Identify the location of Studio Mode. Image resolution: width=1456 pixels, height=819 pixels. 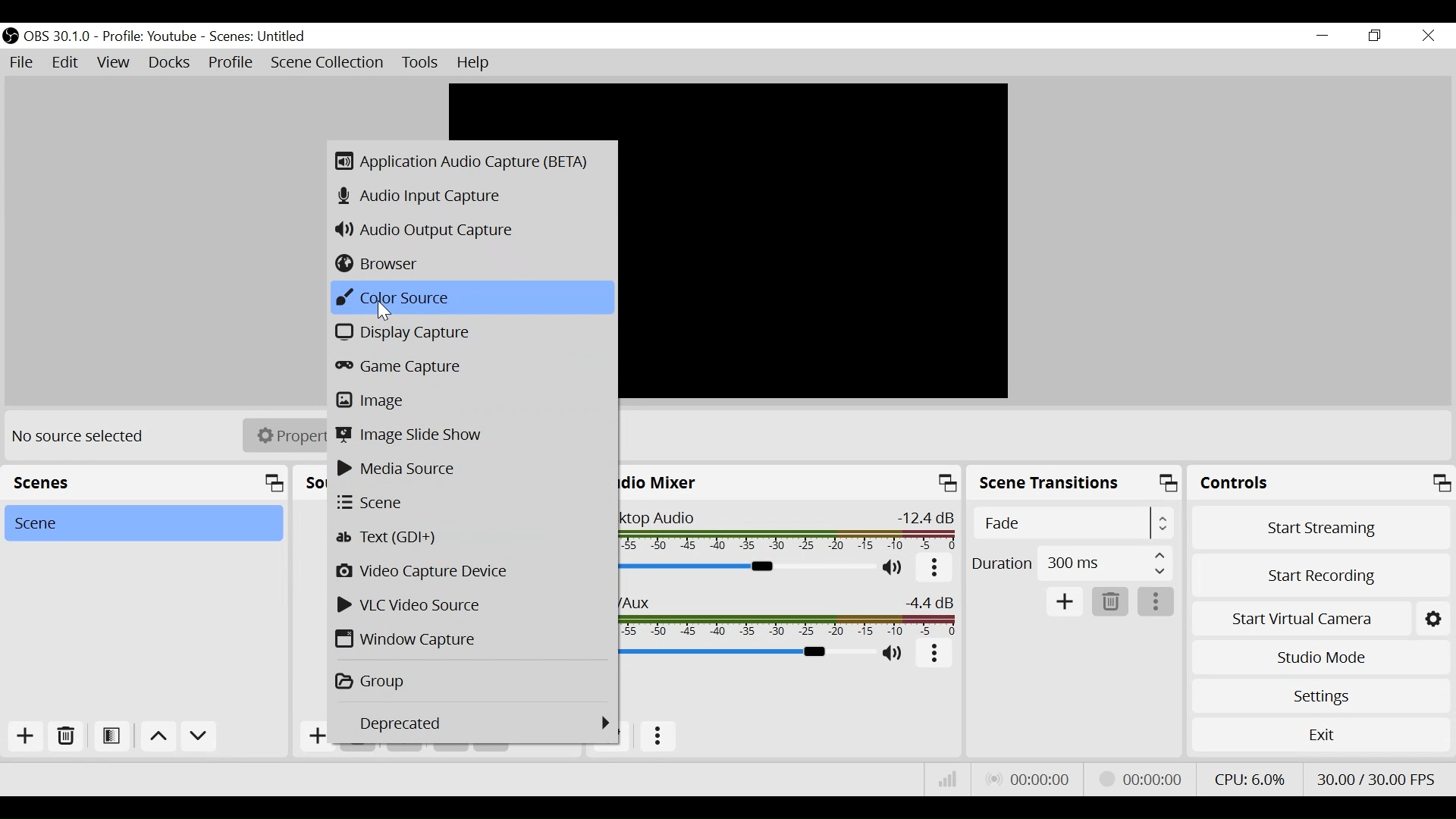
(1320, 657).